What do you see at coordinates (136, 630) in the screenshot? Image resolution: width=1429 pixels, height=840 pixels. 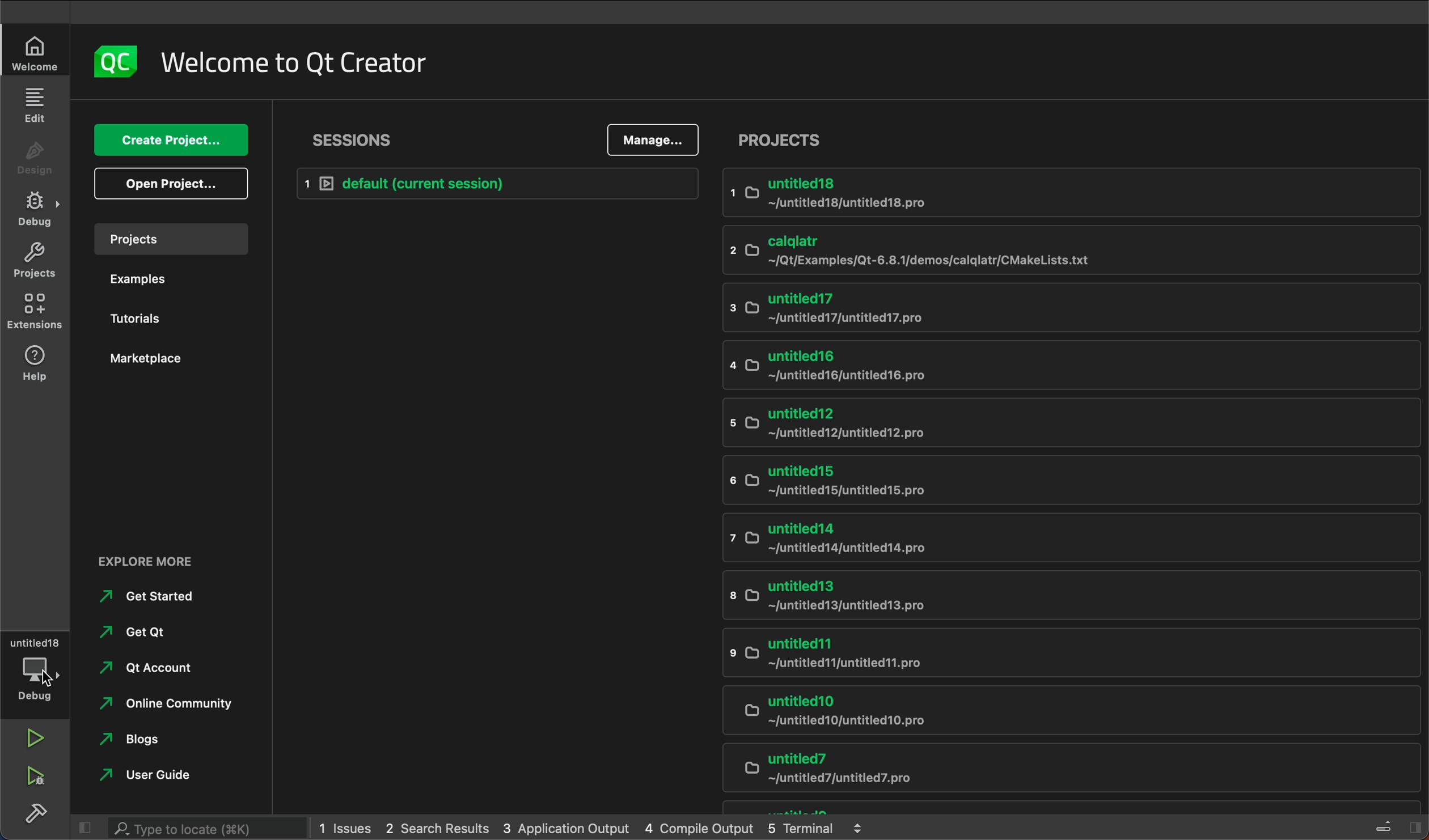 I see `get qt` at bounding box center [136, 630].